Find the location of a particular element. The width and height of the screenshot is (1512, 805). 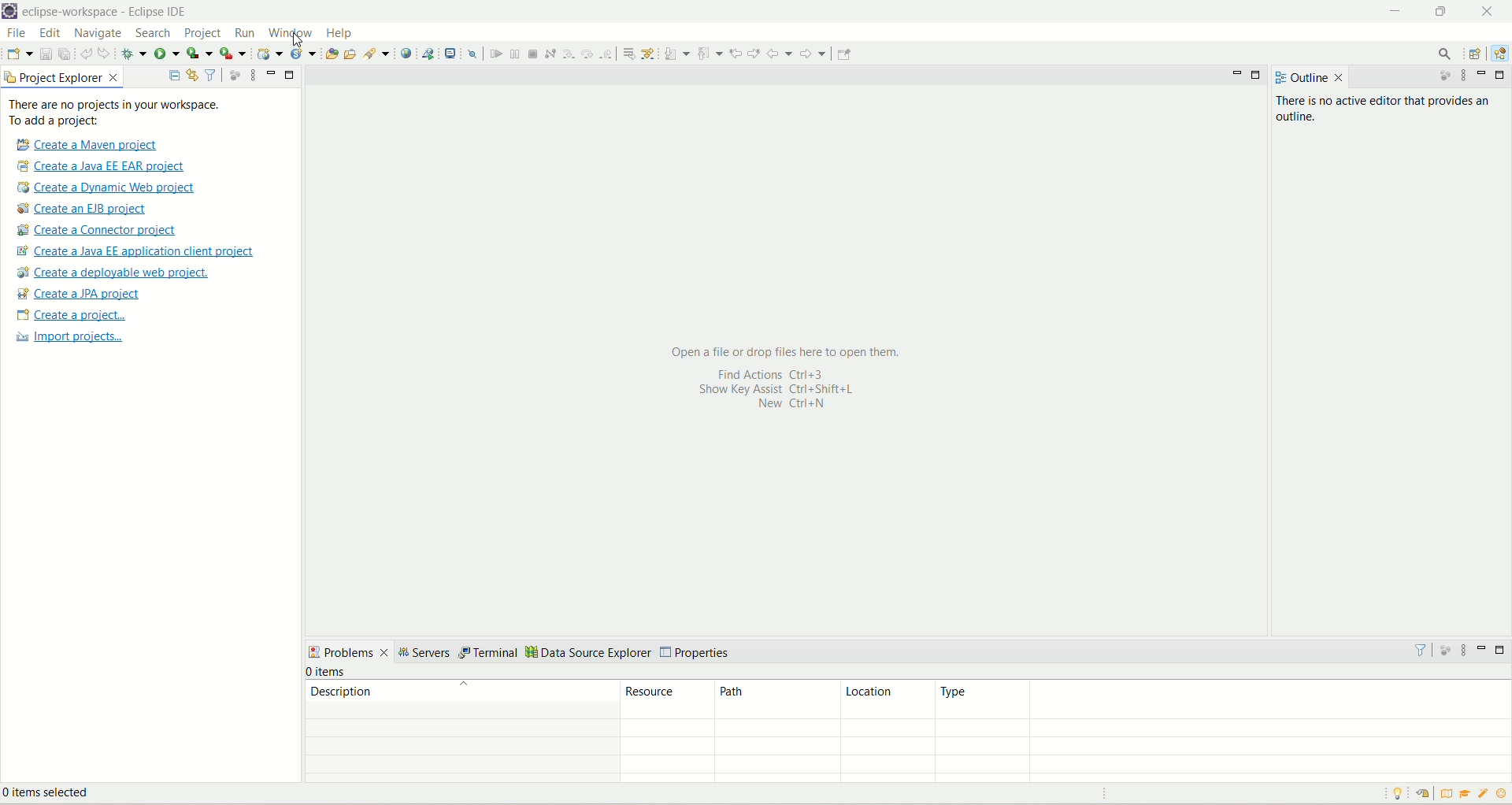

filters is located at coordinates (1420, 649).